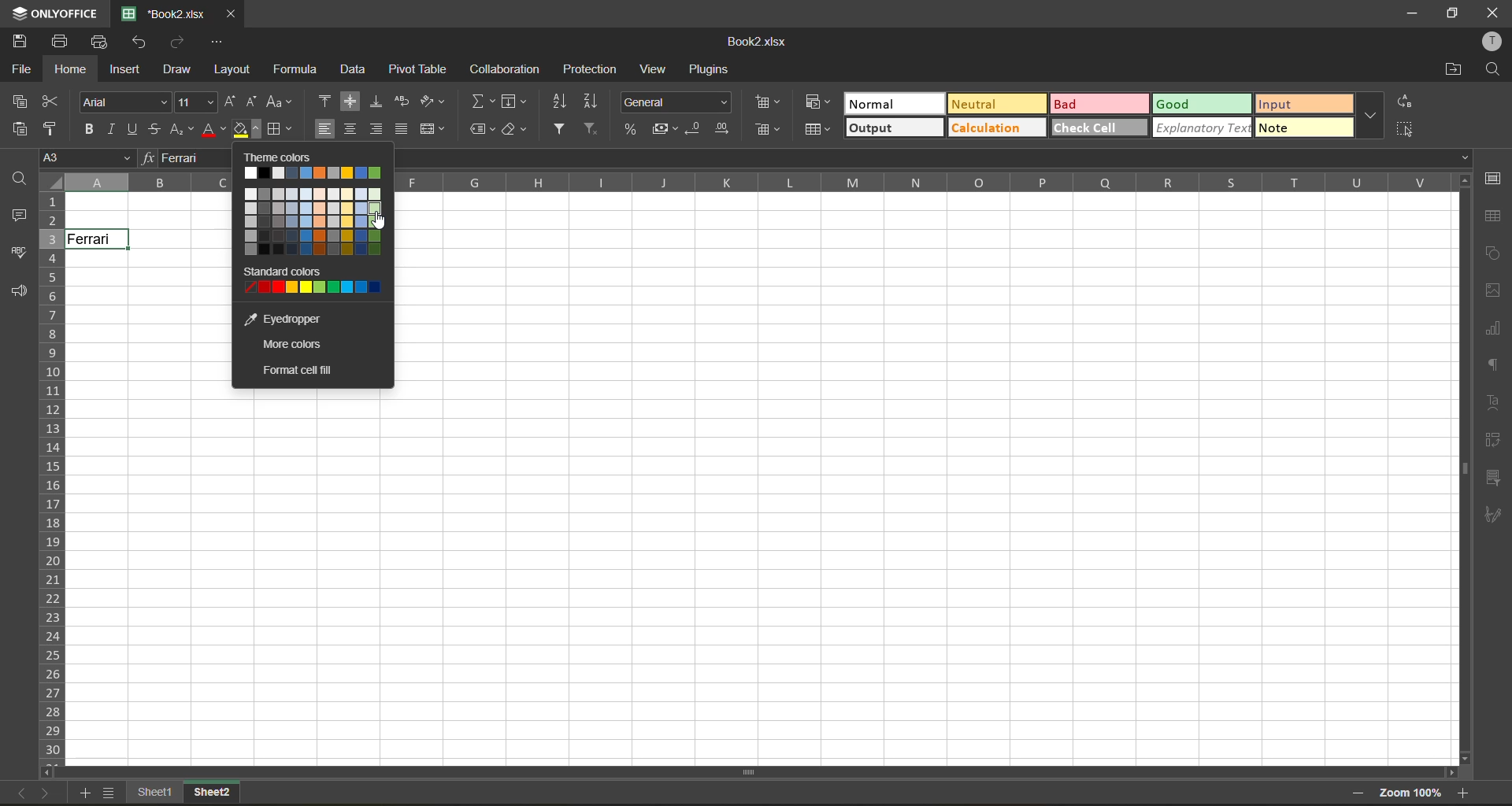 The height and width of the screenshot is (806, 1512). I want to click on cut, so click(53, 102).